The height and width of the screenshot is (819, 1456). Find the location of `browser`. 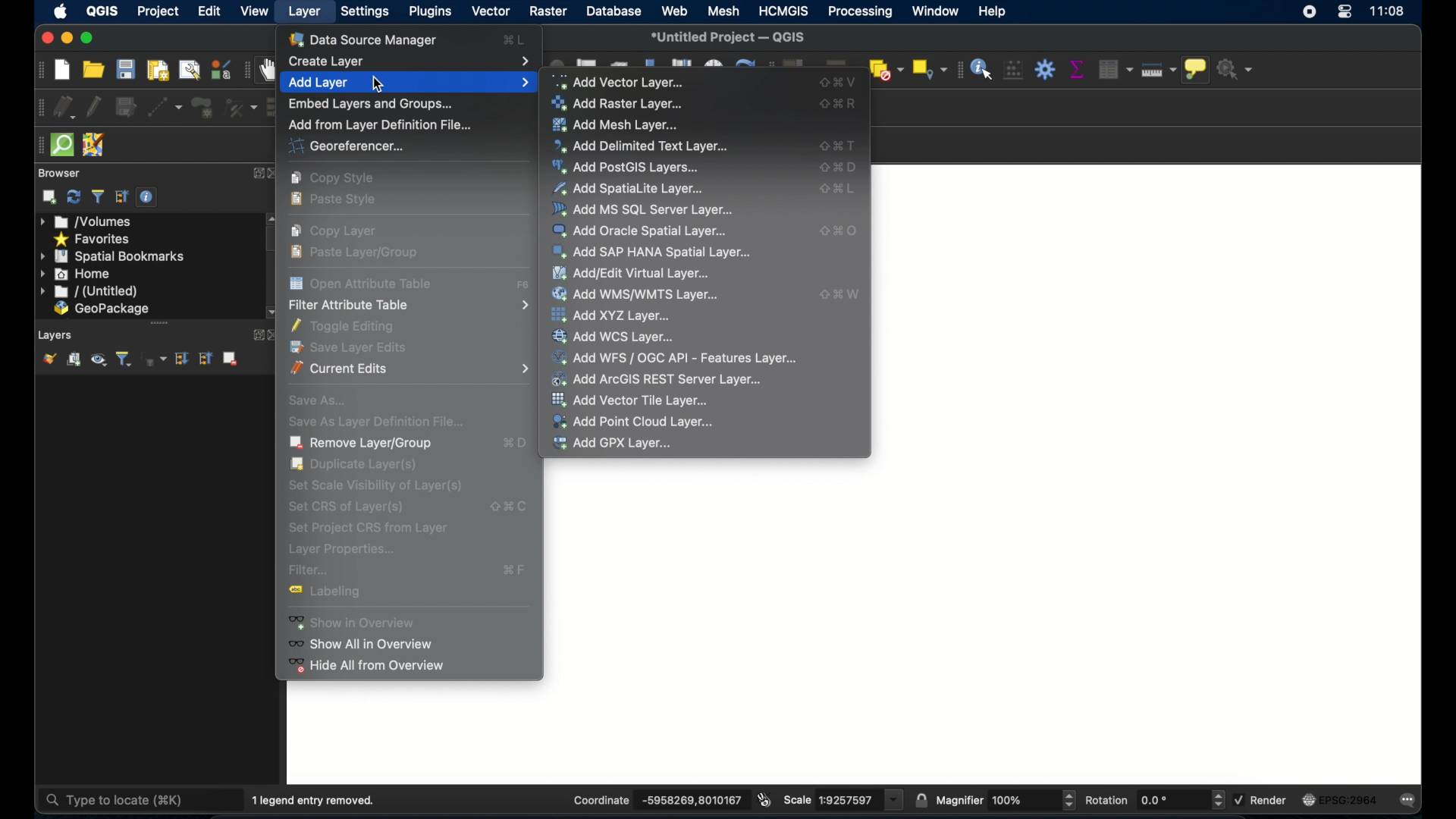

browser is located at coordinates (58, 172).